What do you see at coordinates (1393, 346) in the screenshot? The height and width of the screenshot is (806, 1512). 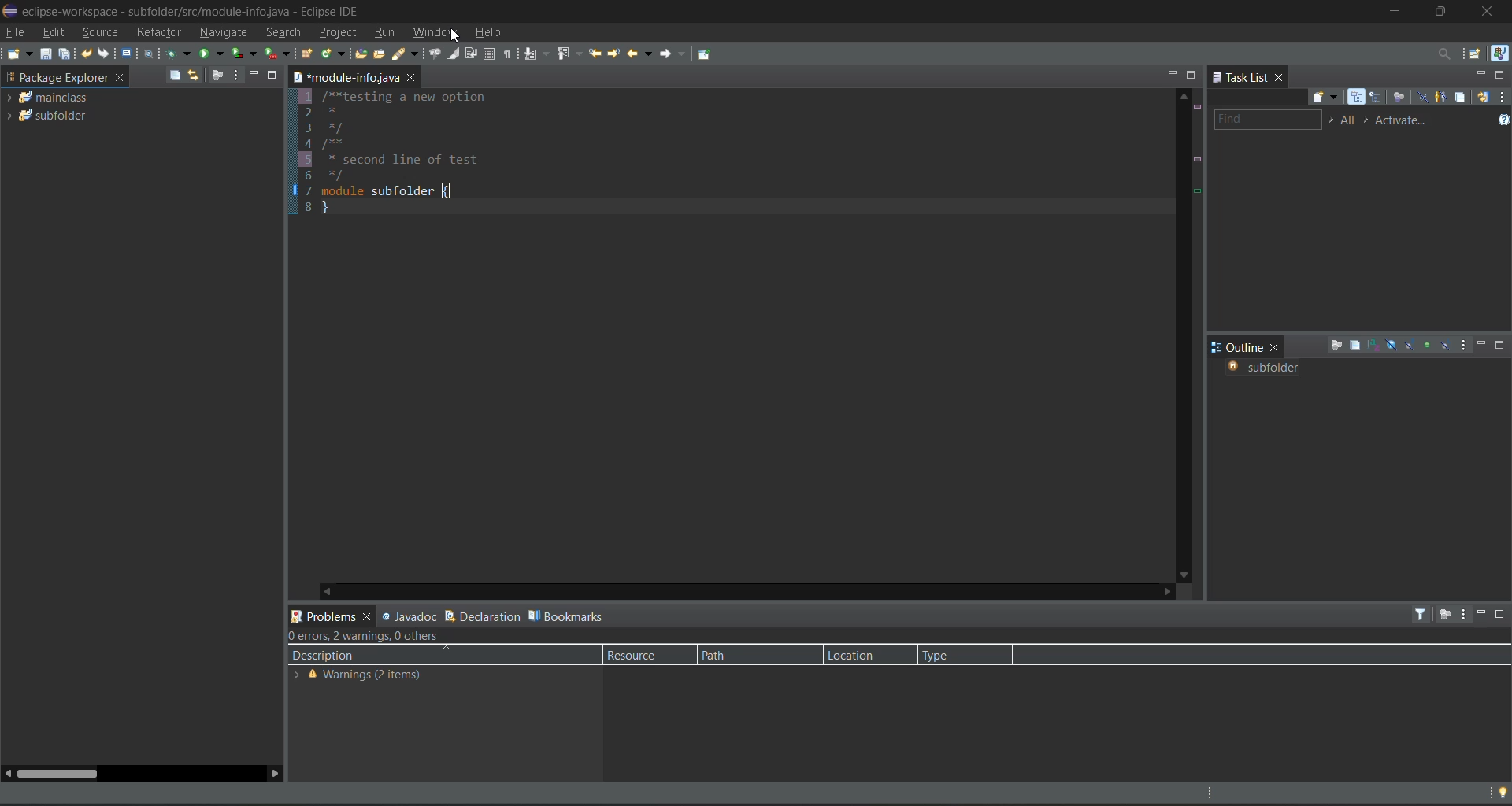 I see `hide fields` at bounding box center [1393, 346].